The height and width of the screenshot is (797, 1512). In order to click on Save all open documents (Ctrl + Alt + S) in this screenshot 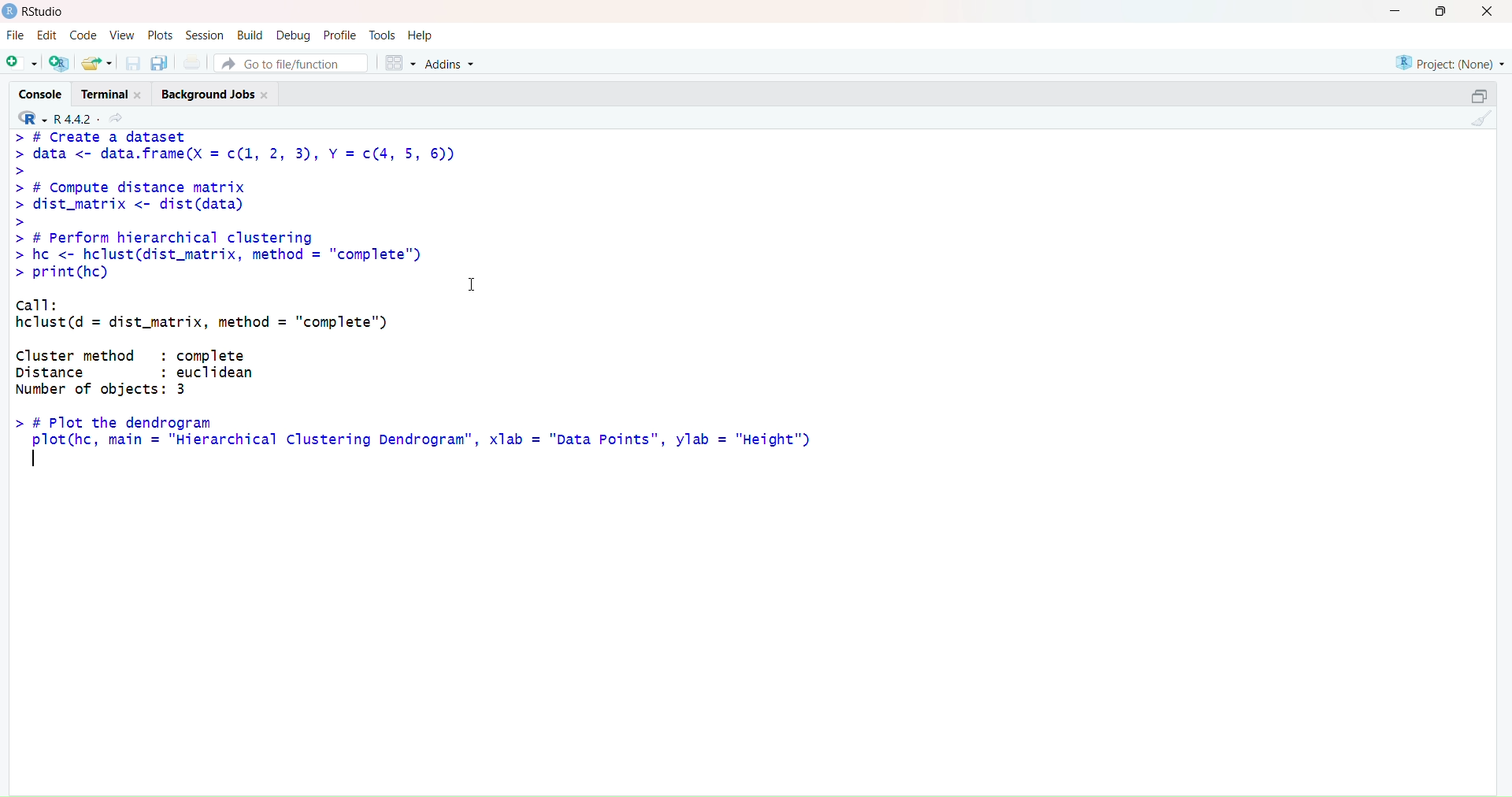, I will do `click(196, 60)`.